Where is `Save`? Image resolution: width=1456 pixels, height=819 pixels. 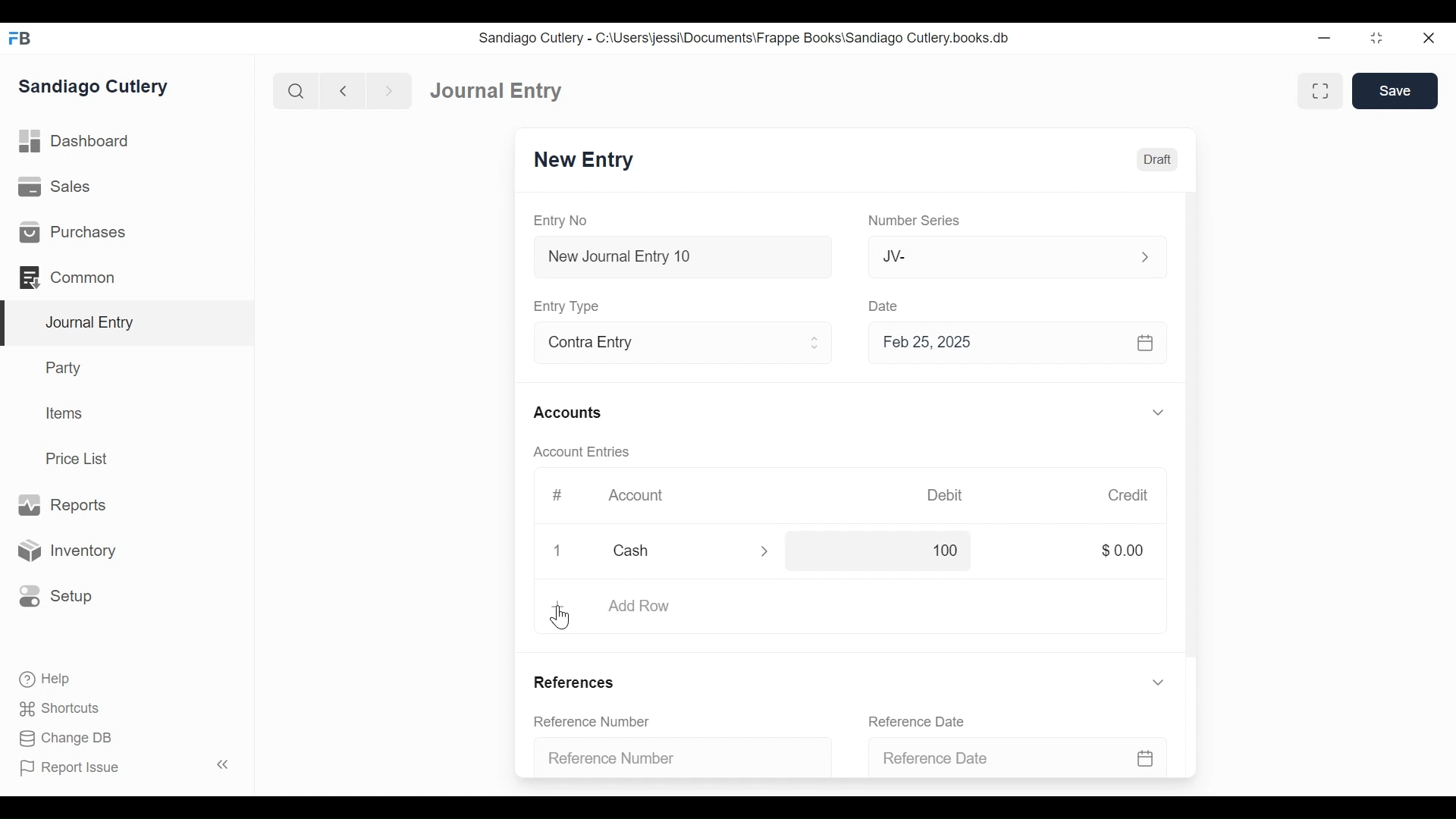
Save is located at coordinates (1395, 91).